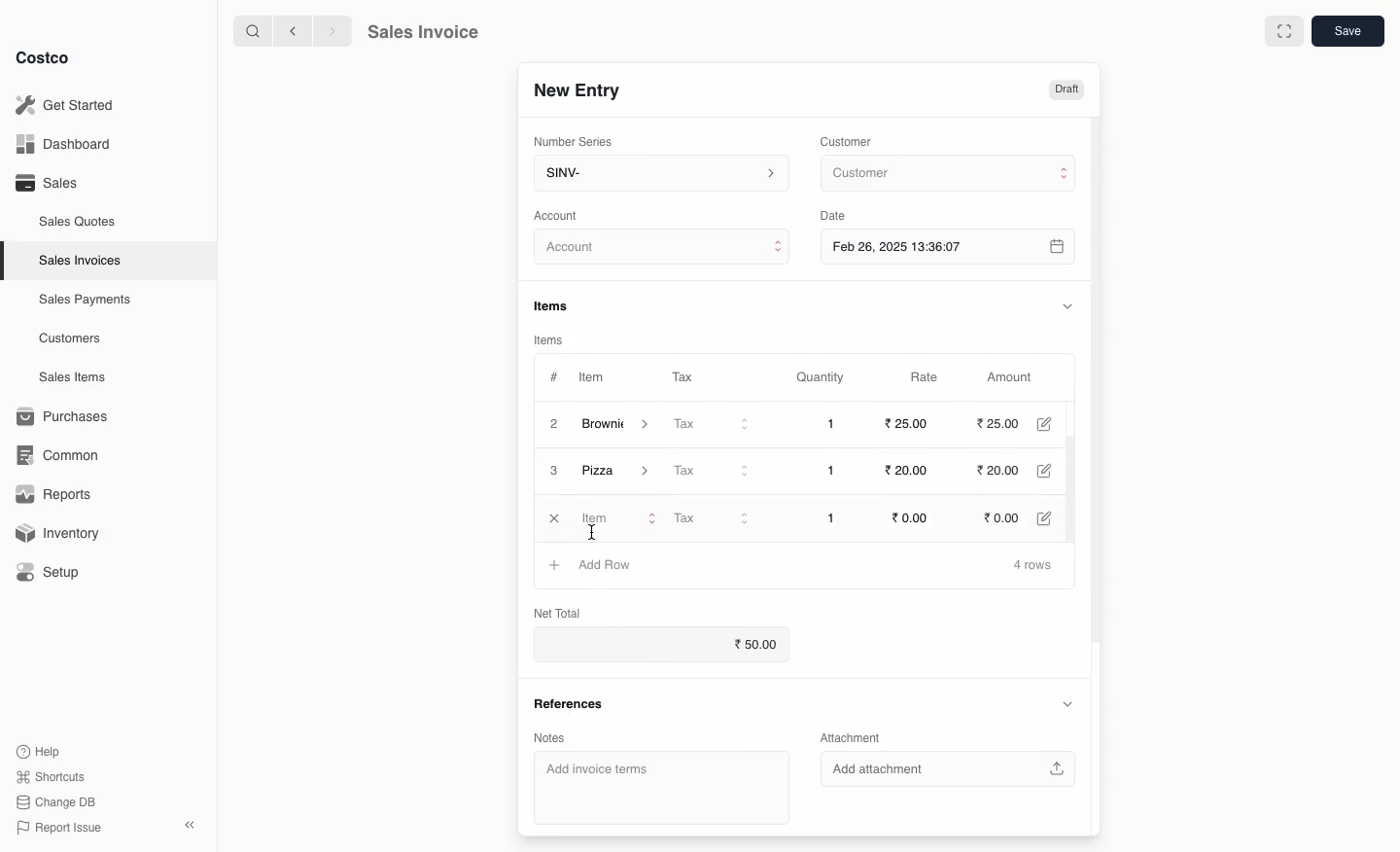  I want to click on Feb 26, 2025 13:36:07, so click(950, 246).